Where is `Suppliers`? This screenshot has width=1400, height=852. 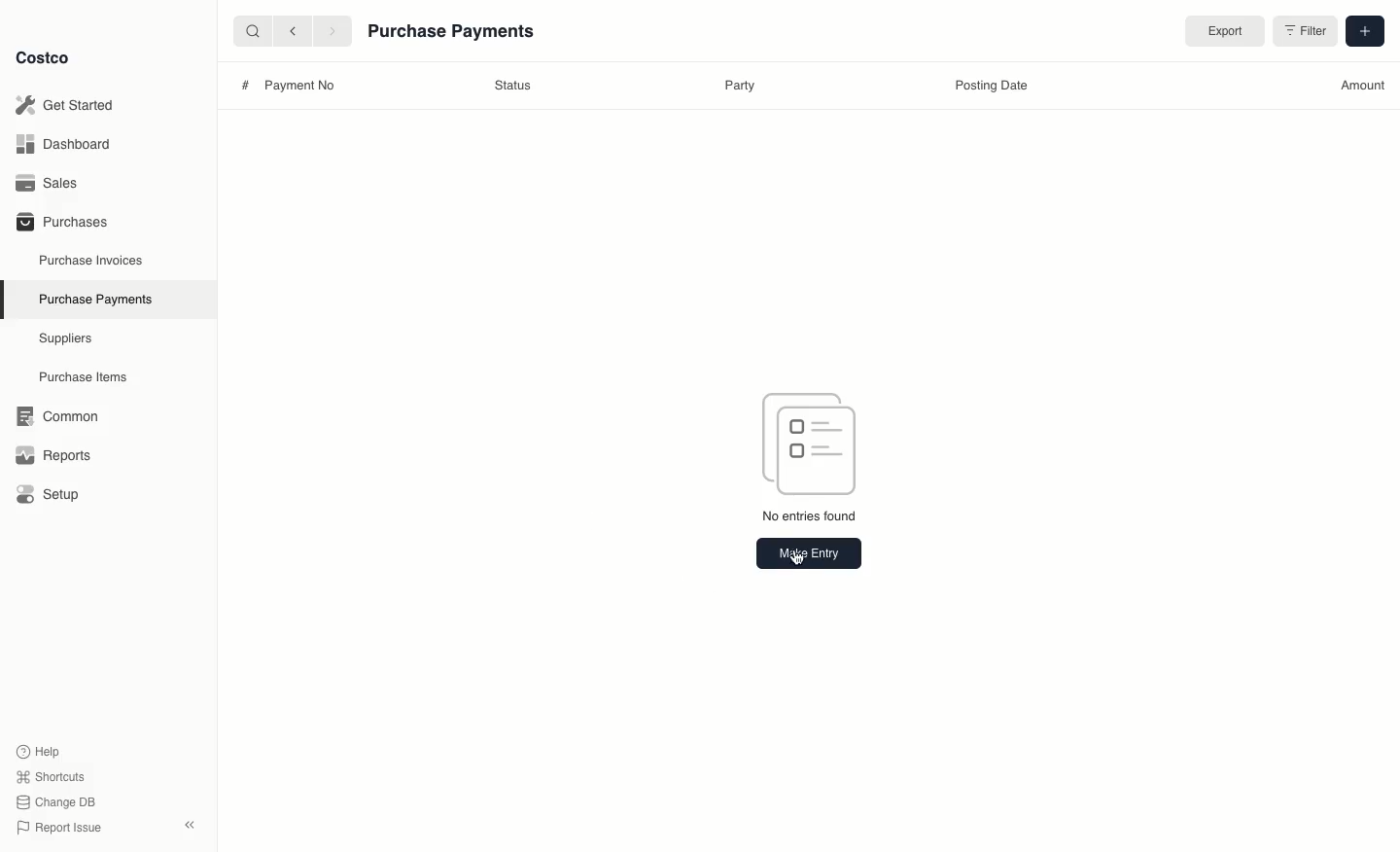 Suppliers is located at coordinates (66, 337).